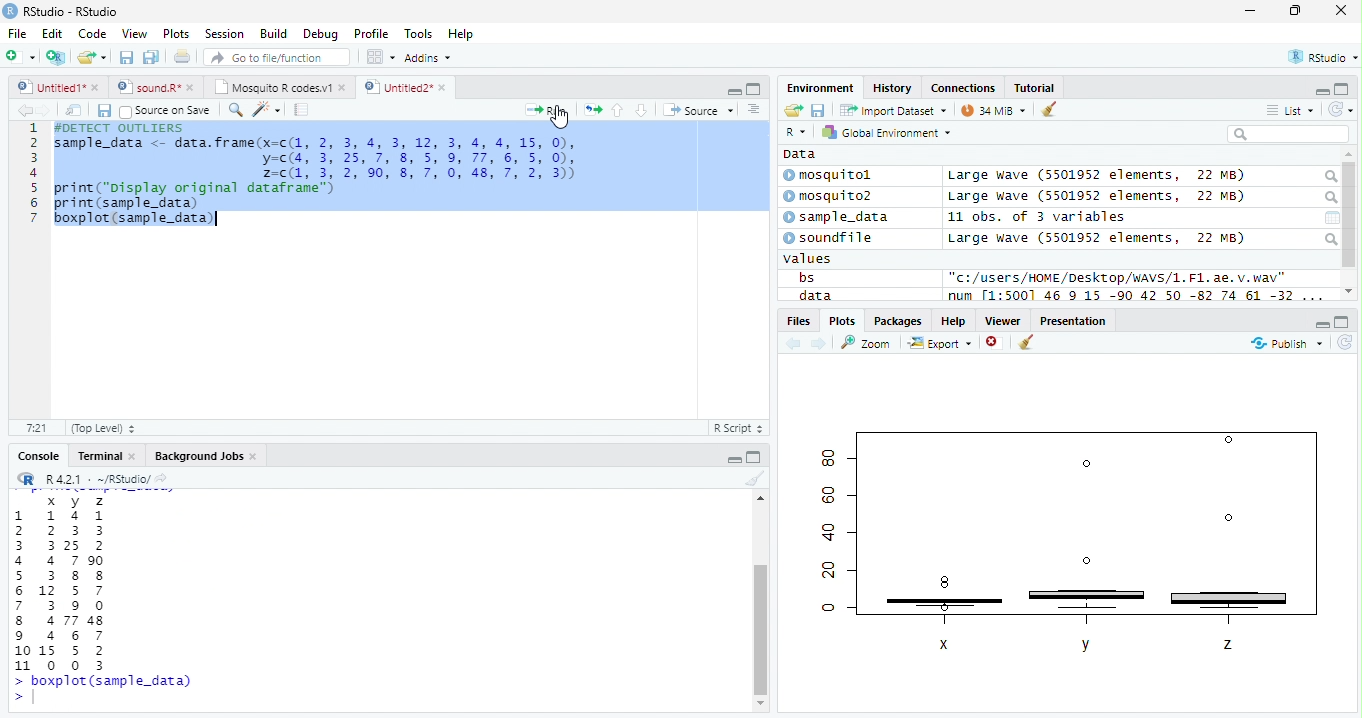 This screenshot has width=1362, height=718. What do you see at coordinates (153, 86) in the screenshot?
I see `sound.R*` at bounding box center [153, 86].